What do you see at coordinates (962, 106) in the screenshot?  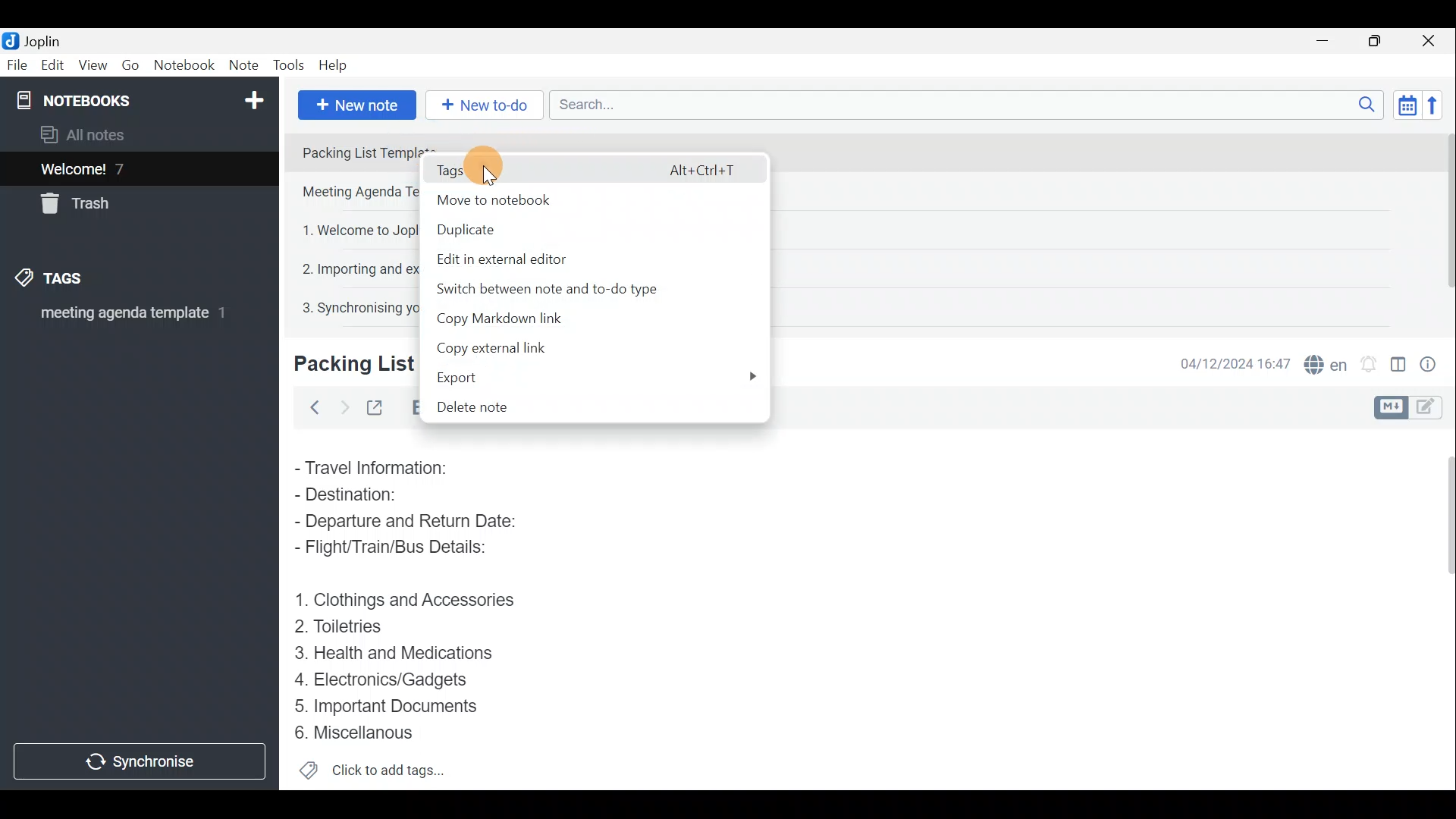 I see `Search bar` at bounding box center [962, 106].